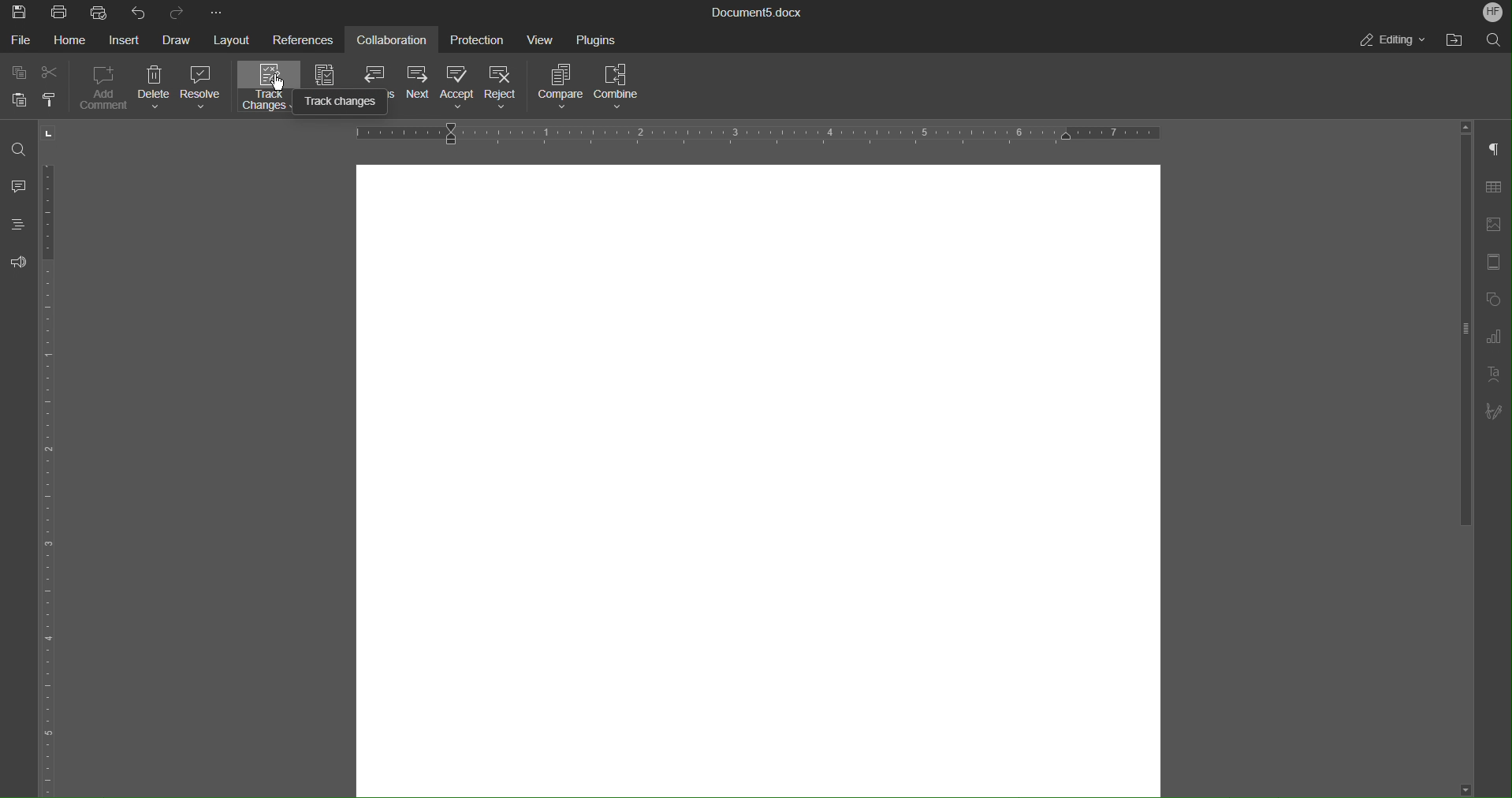  I want to click on Reject, so click(510, 88).